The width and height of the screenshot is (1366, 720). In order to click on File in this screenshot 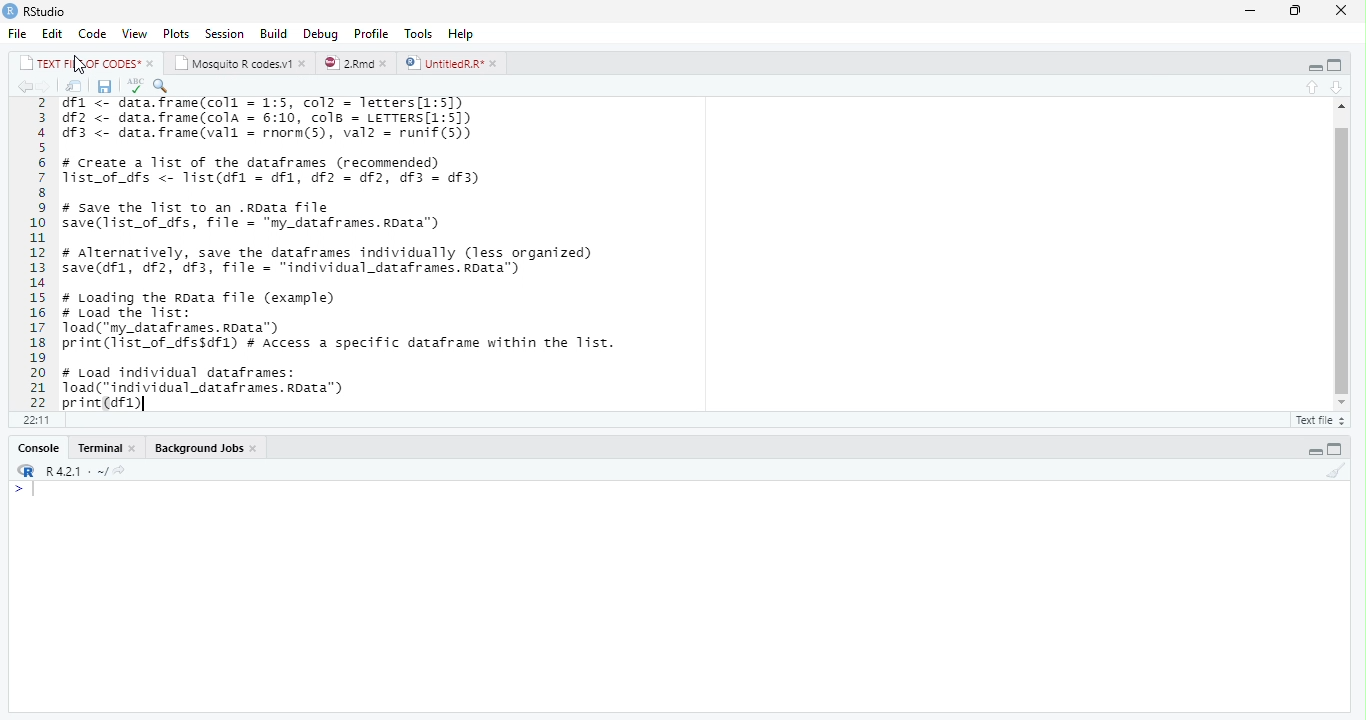, I will do `click(19, 33)`.